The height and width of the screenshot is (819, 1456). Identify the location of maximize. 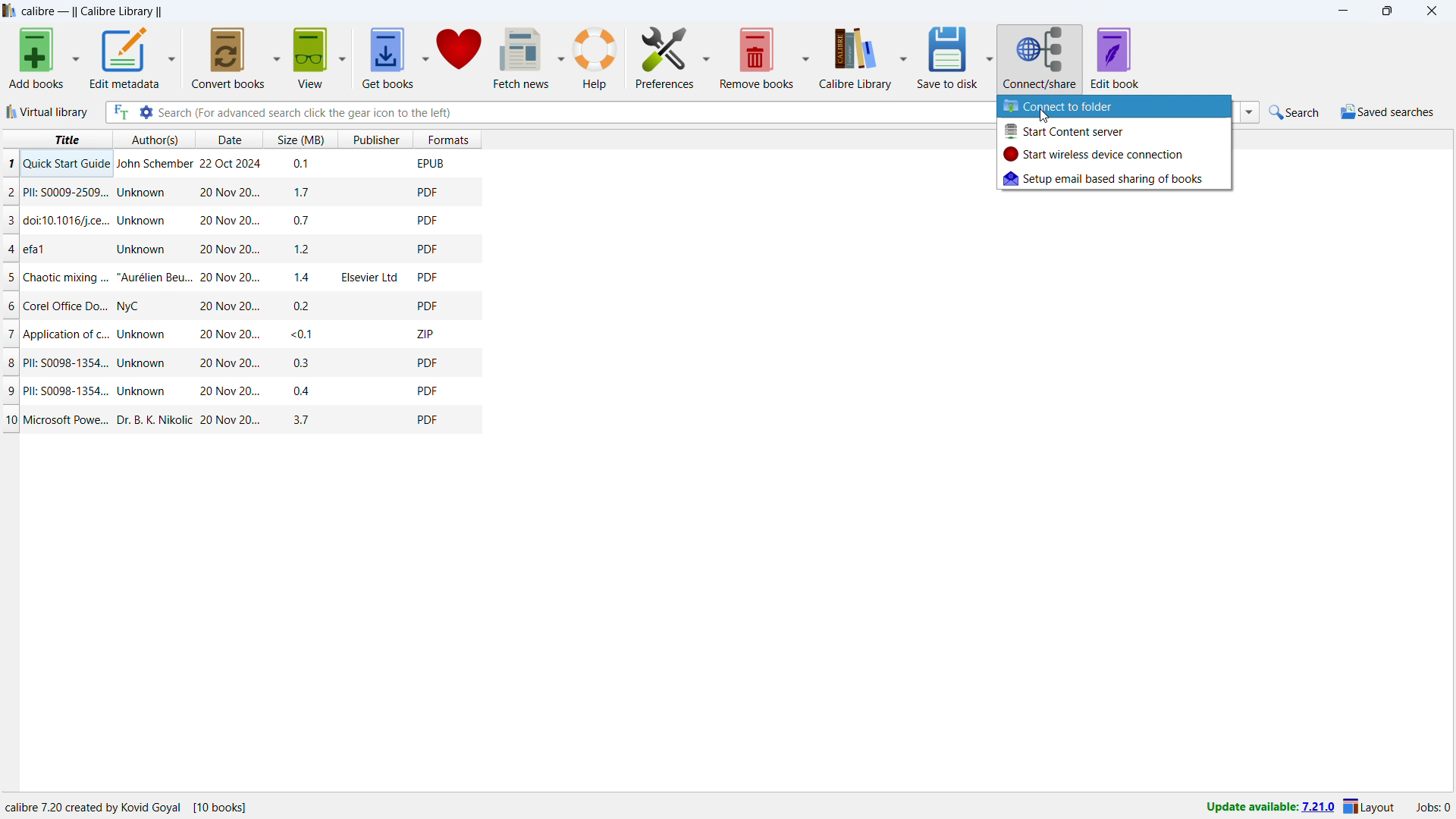
(1386, 11).